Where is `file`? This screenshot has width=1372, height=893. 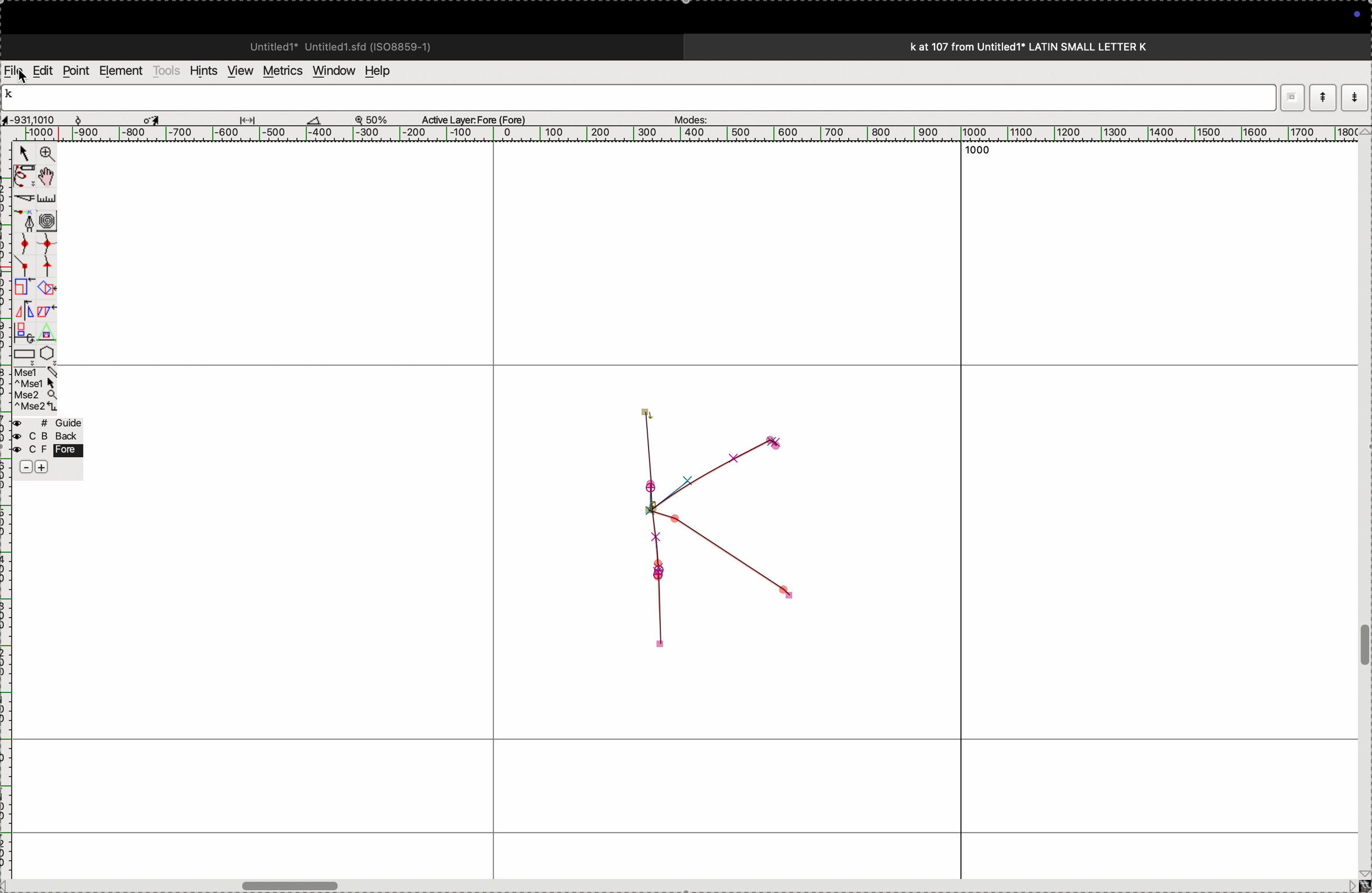
file is located at coordinates (14, 71).